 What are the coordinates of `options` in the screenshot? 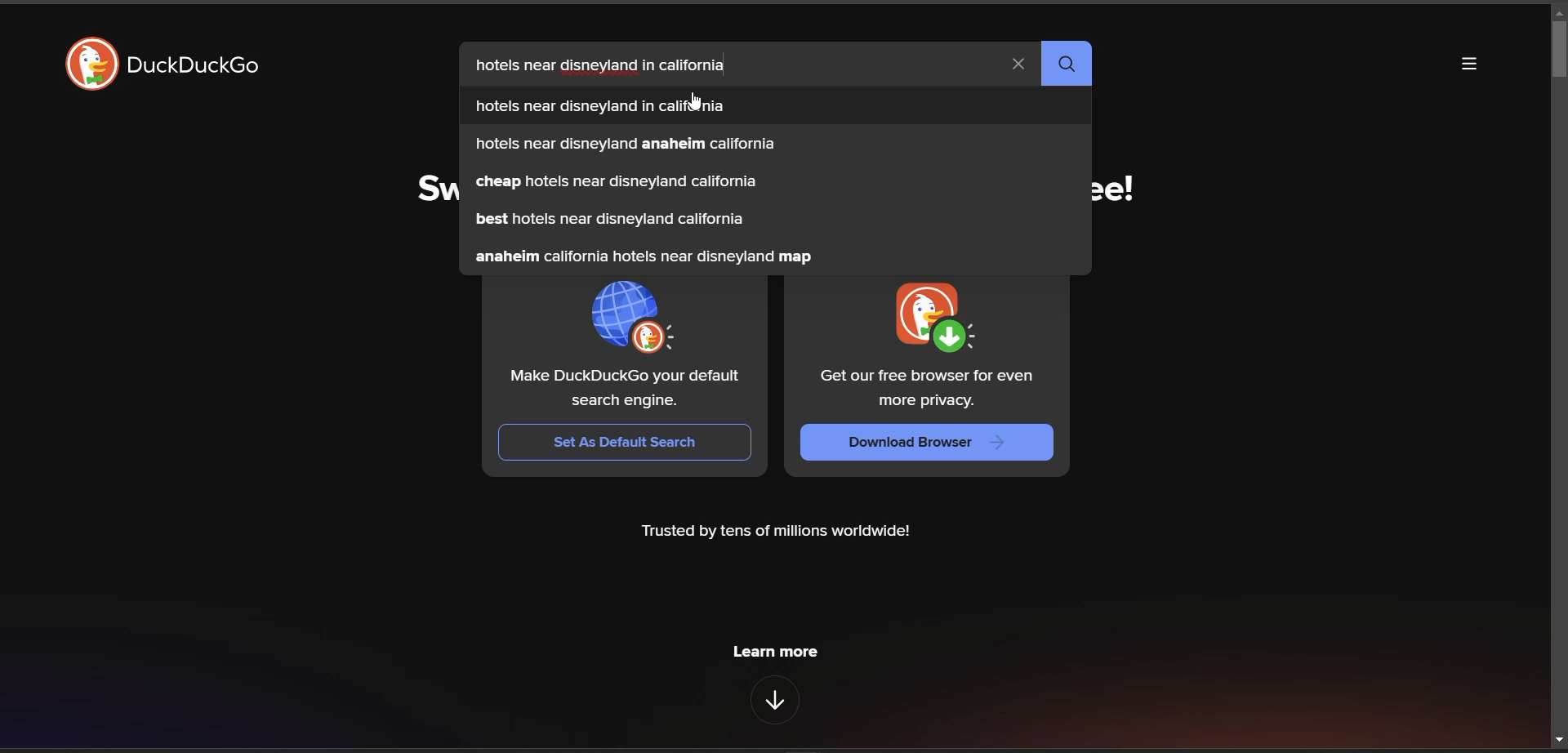 It's located at (1471, 65).